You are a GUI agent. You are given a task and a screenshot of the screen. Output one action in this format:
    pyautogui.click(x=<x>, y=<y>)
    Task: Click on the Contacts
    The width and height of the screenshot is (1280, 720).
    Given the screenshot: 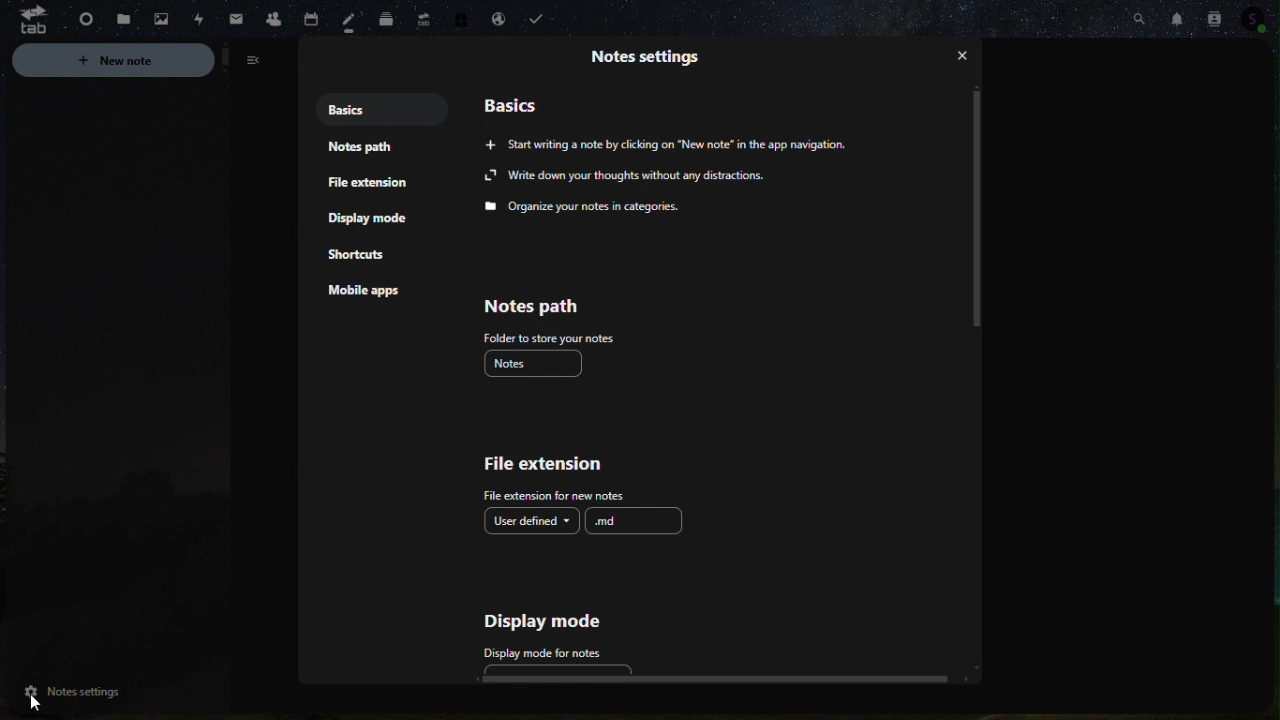 What is the action you would take?
    pyautogui.click(x=307, y=16)
    